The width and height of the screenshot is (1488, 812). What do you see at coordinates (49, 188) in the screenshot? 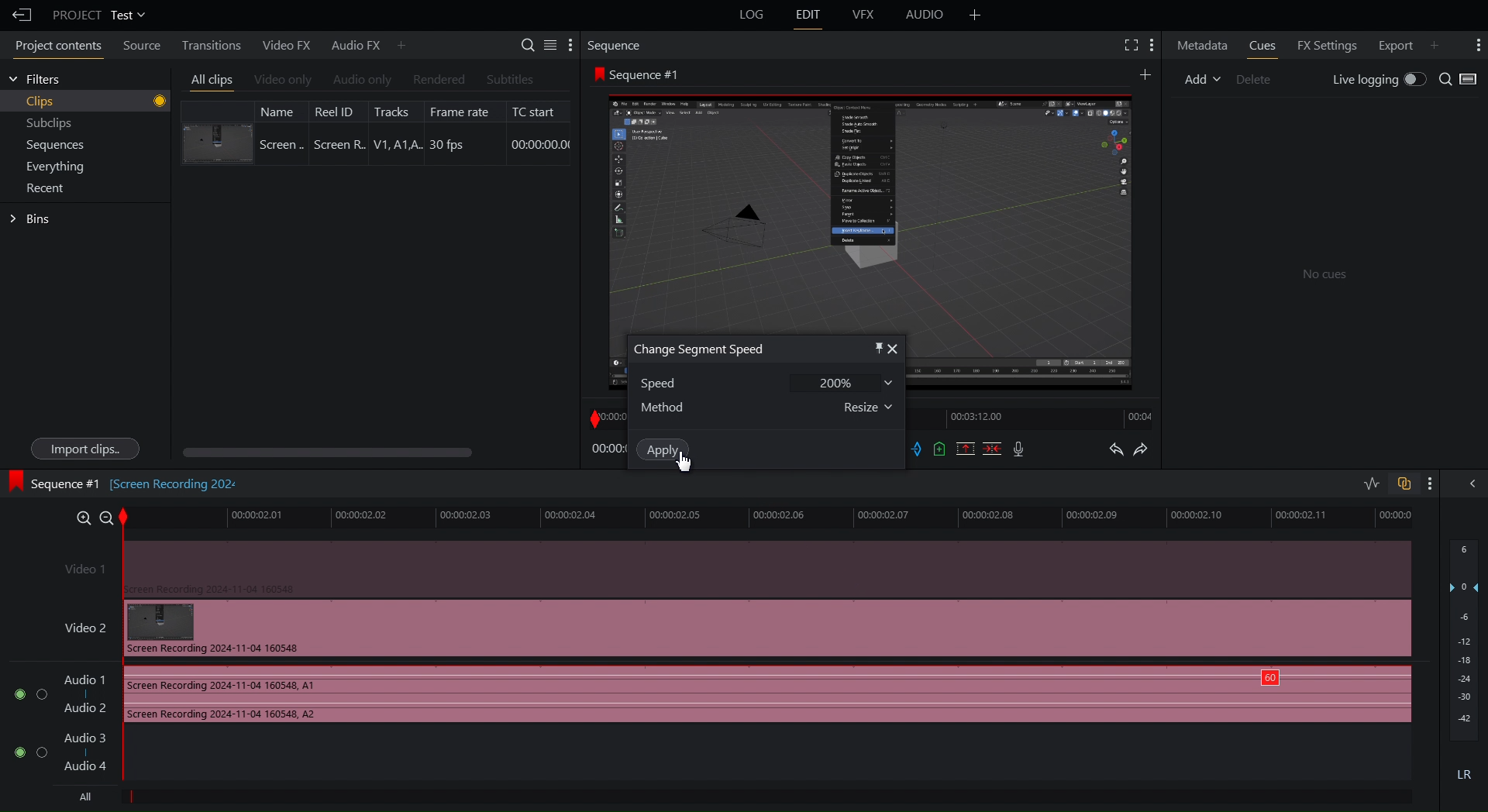
I see `Recent` at bounding box center [49, 188].